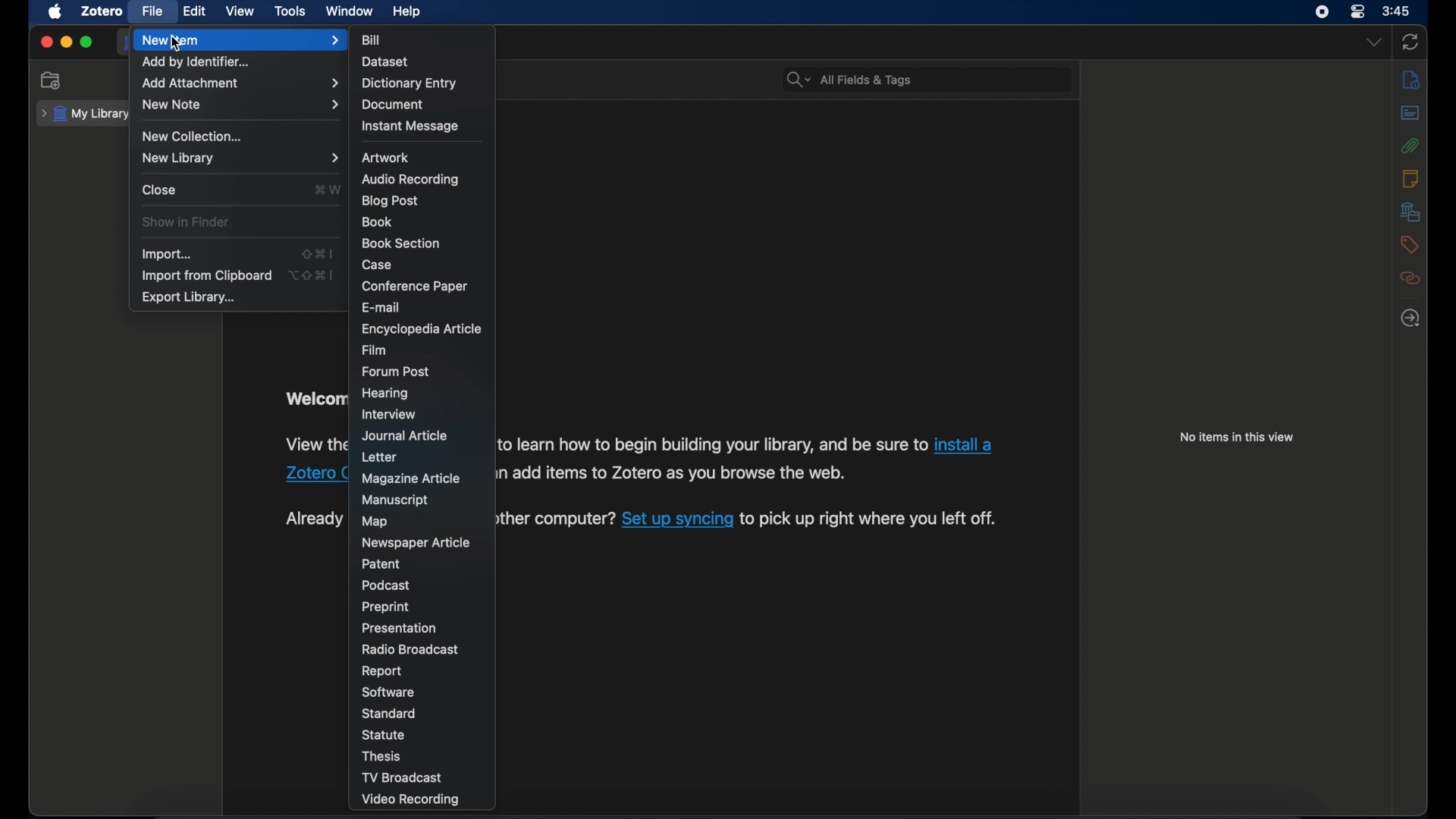 The height and width of the screenshot is (819, 1456). I want to click on book section, so click(401, 243).